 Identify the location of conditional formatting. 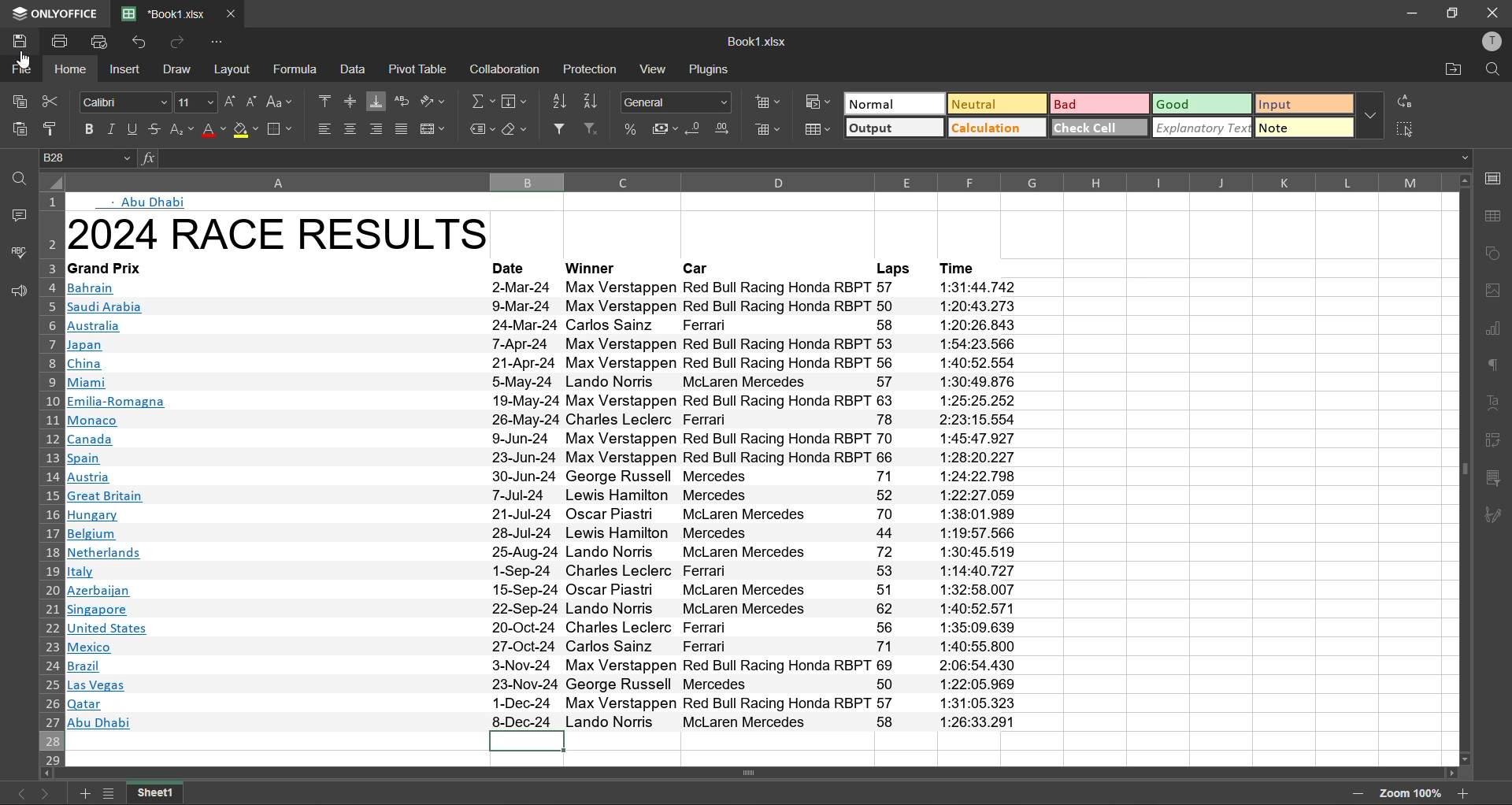
(819, 102).